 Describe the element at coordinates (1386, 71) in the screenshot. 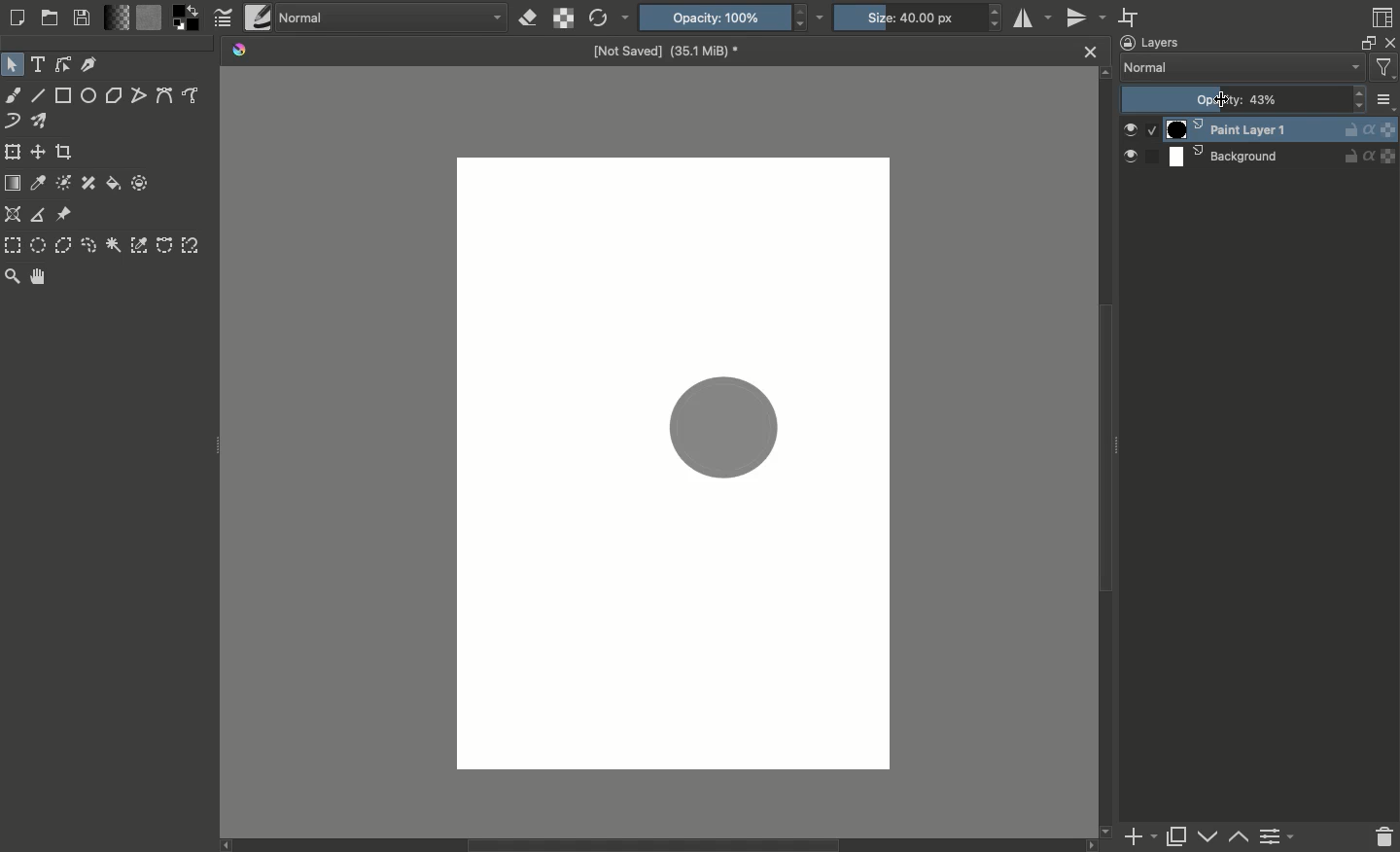

I see `Sorting and filtering` at that location.